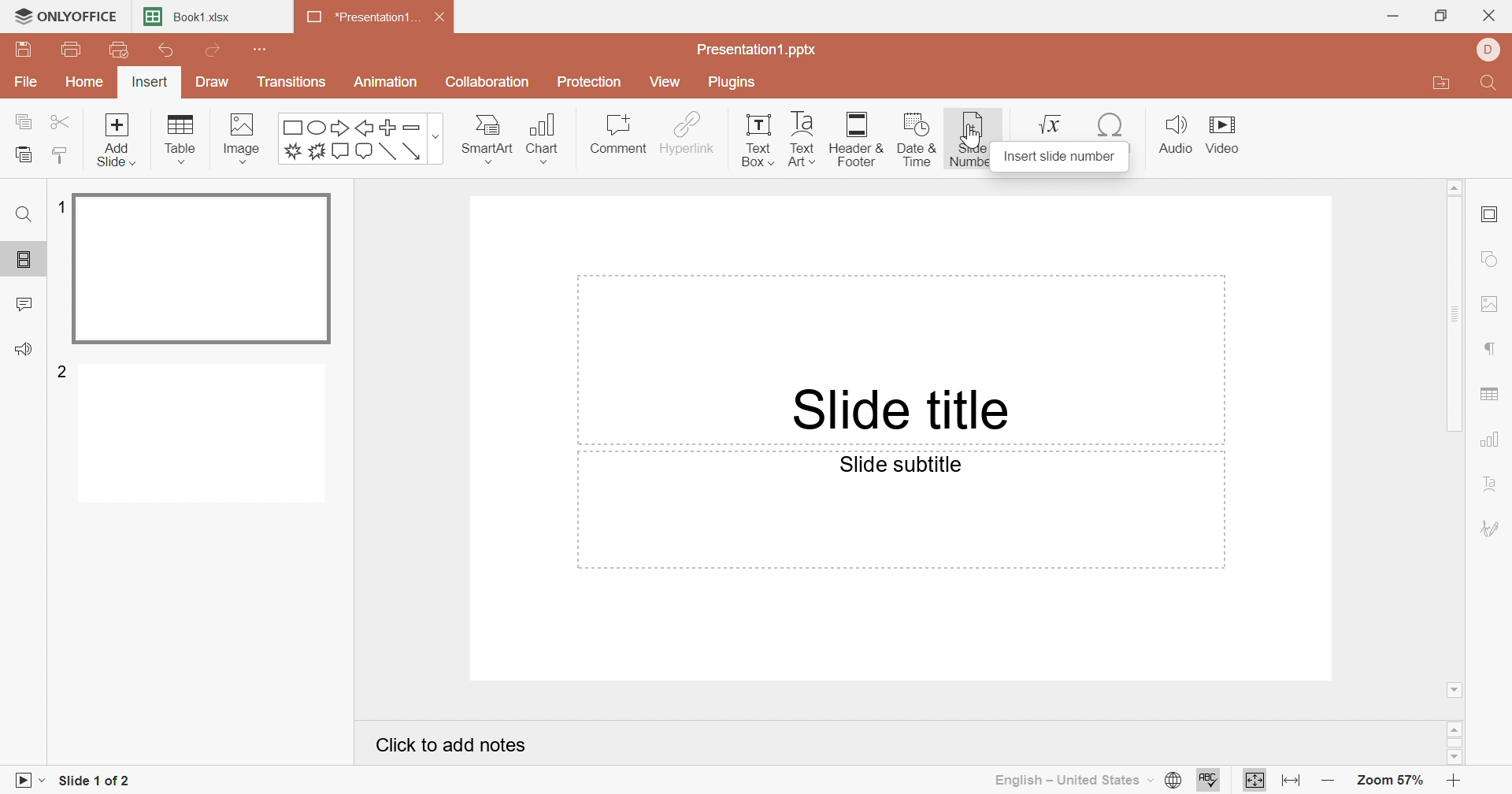 This screenshot has width=1512, height=794. What do you see at coordinates (1176, 135) in the screenshot?
I see `Audio` at bounding box center [1176, 135].